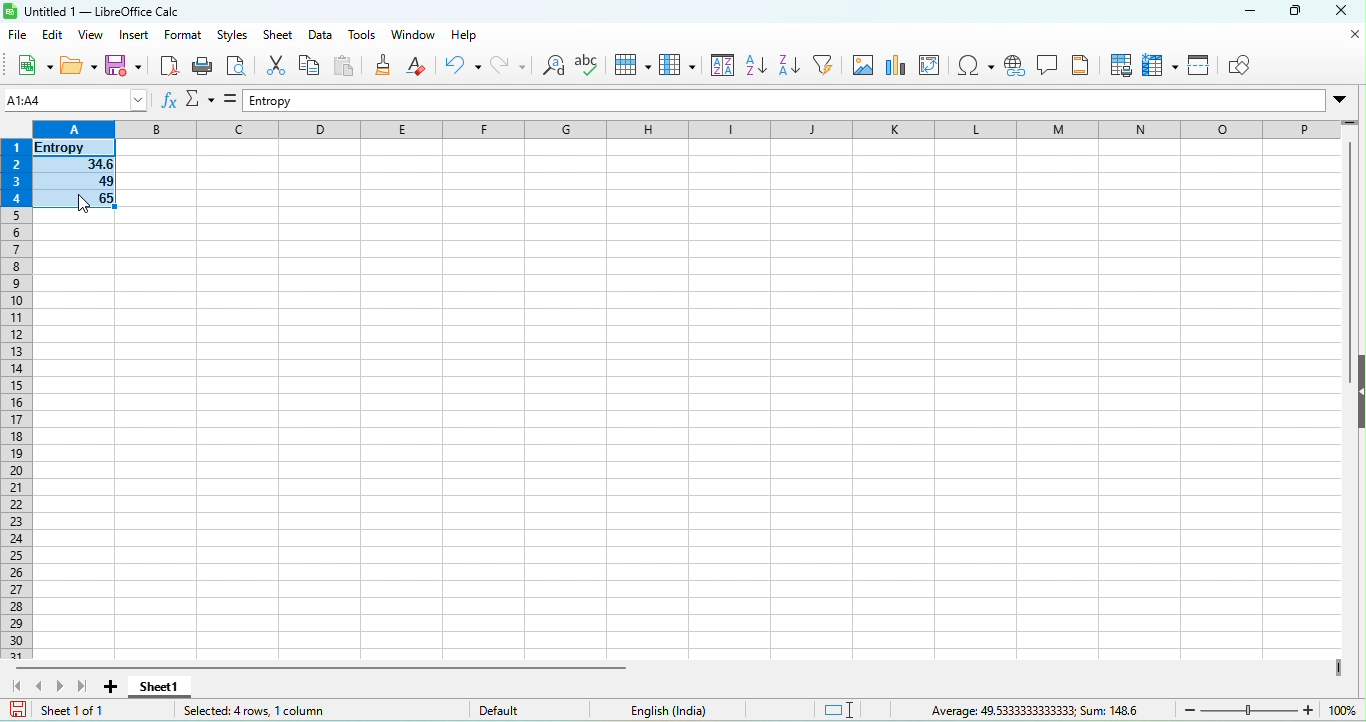 The width and height of the screenshot is (1366, 722). What do you see at coordinates (840, 709) in the screenshot?
I see `standard selection` at bounding box center [840, 709].